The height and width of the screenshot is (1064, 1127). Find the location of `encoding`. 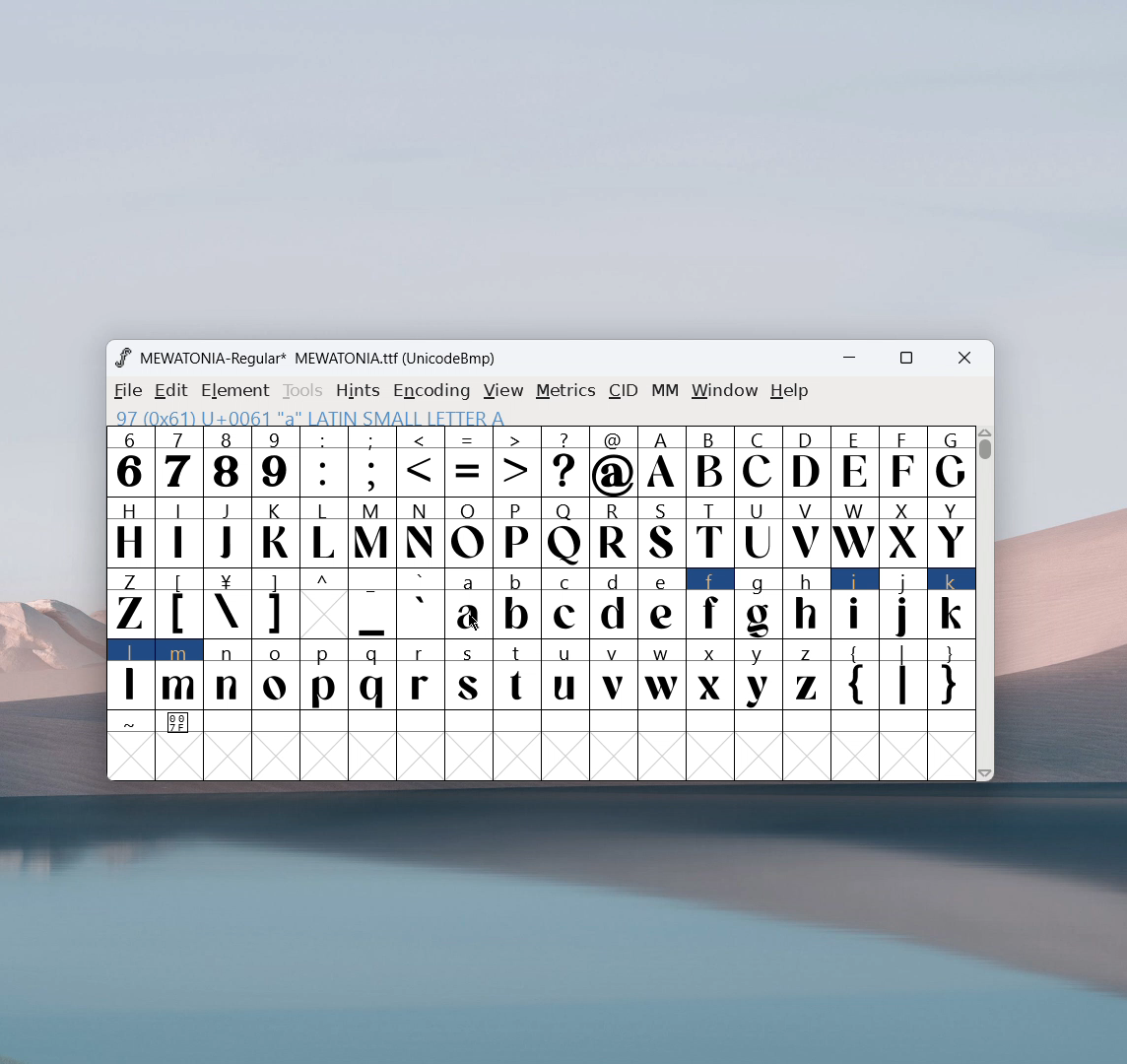

encoding is located at coordinates (431, 389).